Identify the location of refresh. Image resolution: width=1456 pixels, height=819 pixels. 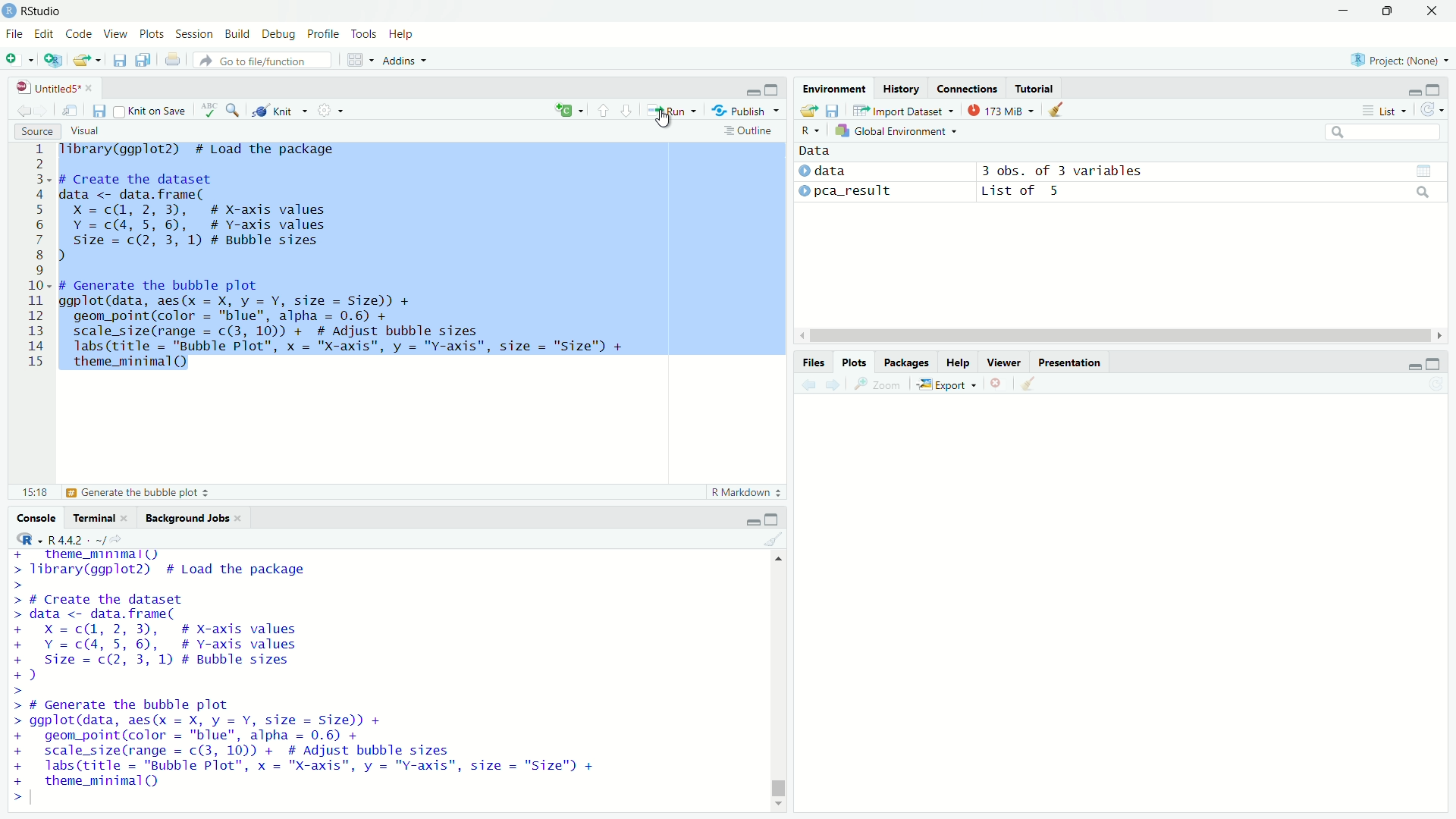
(1433, 109).